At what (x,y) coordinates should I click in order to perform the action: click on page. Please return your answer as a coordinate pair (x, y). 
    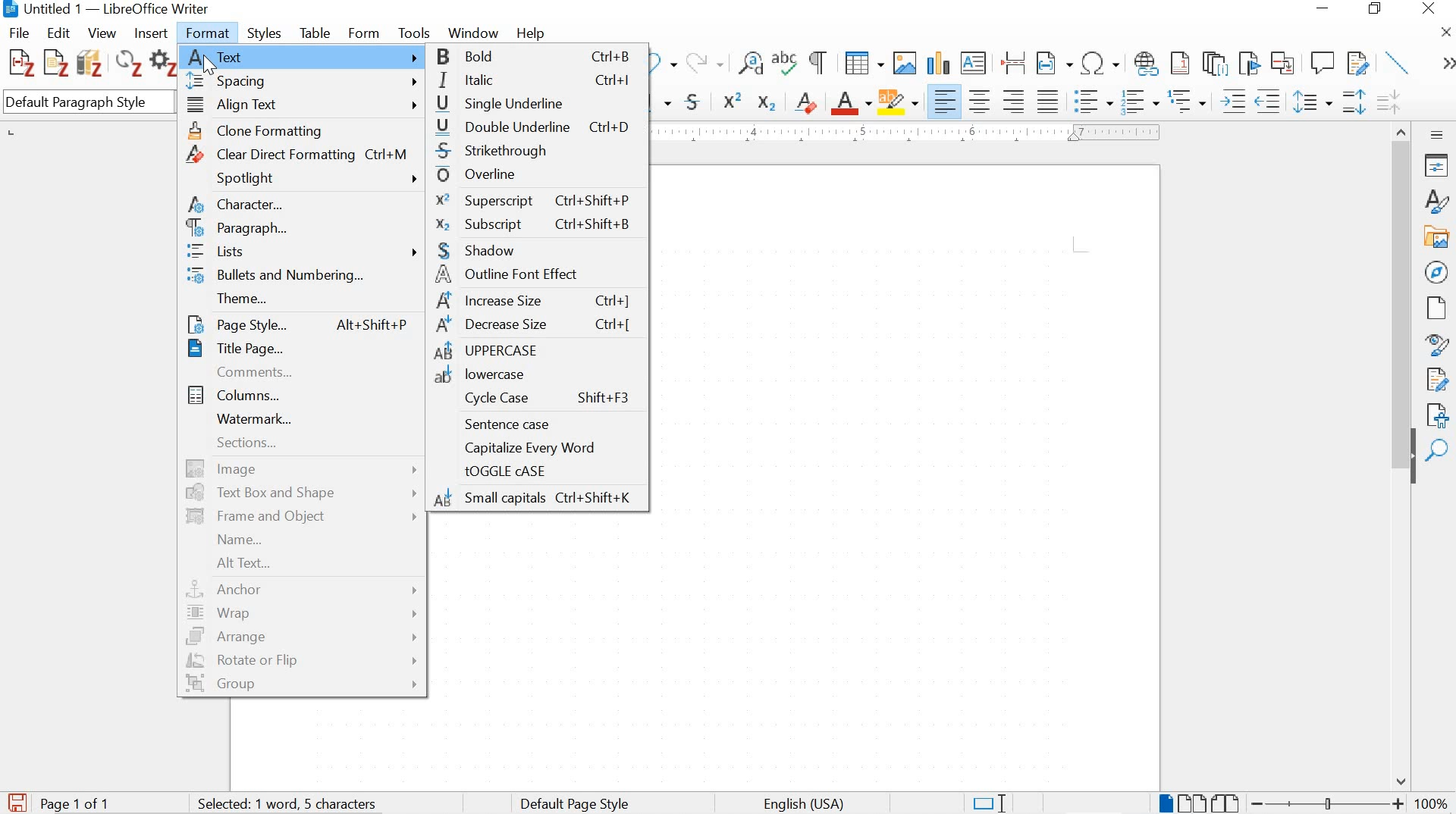
    Looking at the image, I should click on (1437, 308).